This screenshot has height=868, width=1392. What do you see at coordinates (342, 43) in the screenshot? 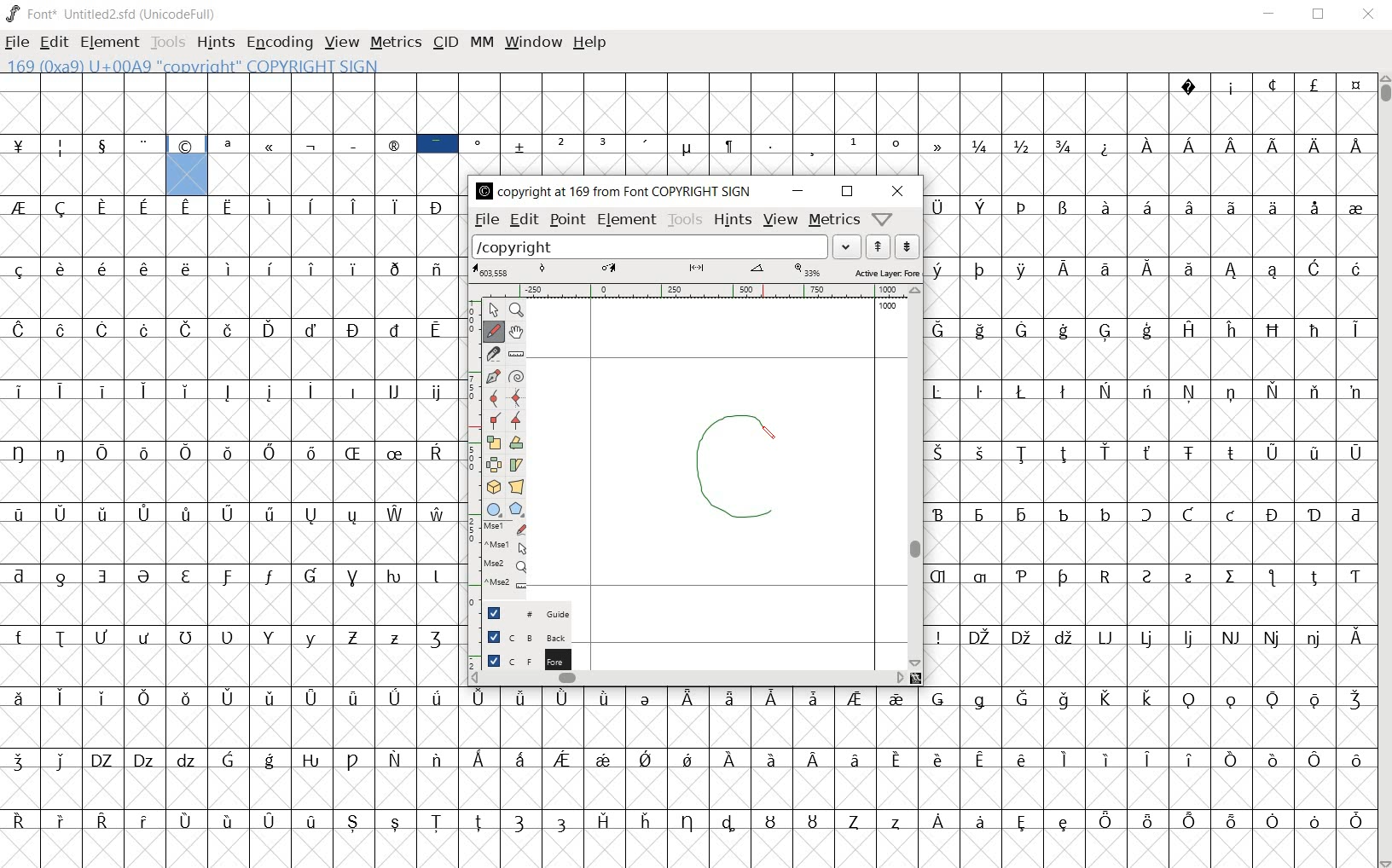
I see `view` at bounding box center [342, 43].